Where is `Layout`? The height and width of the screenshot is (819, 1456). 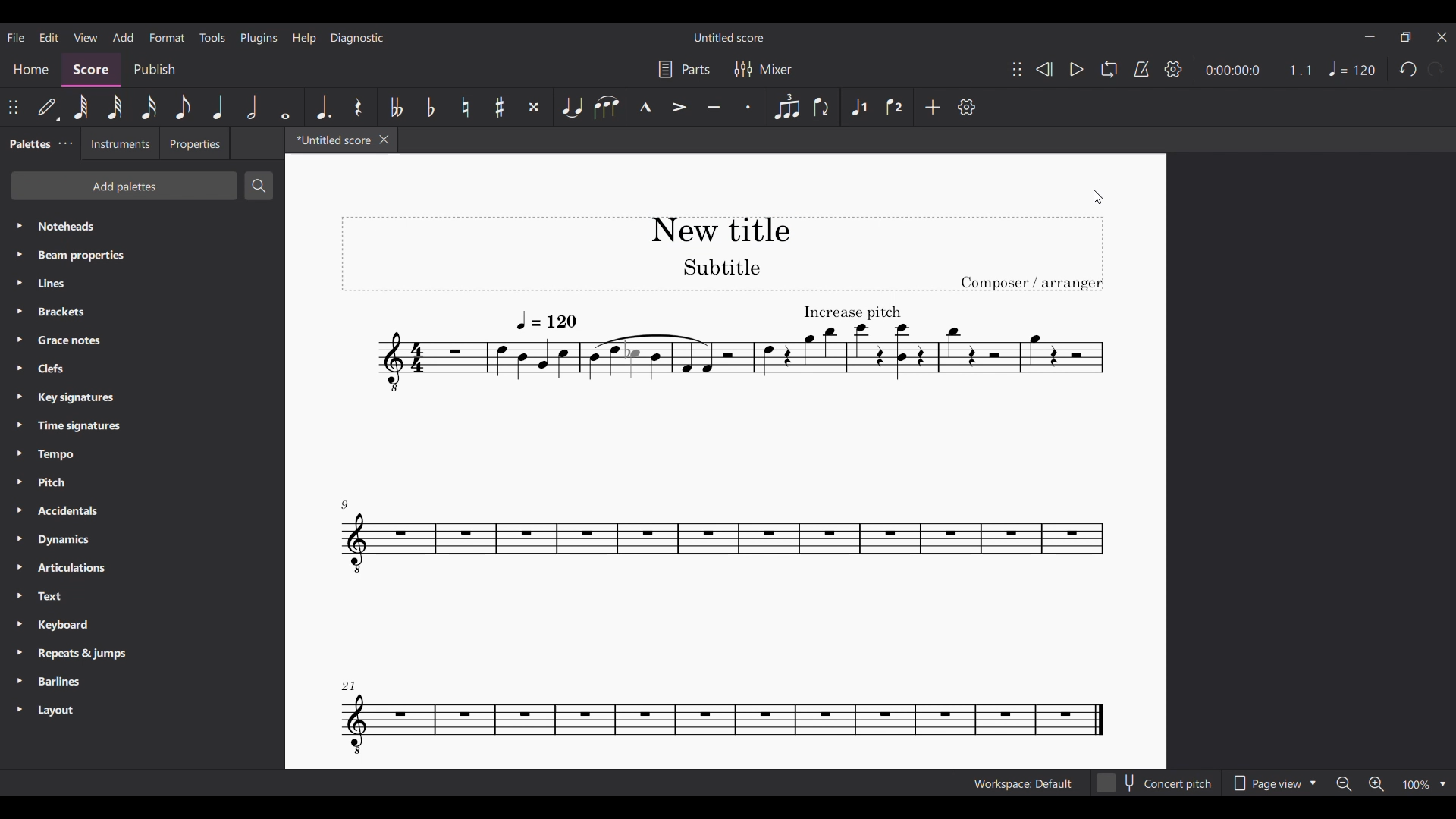
Layout is located at coordinates (142, 711).